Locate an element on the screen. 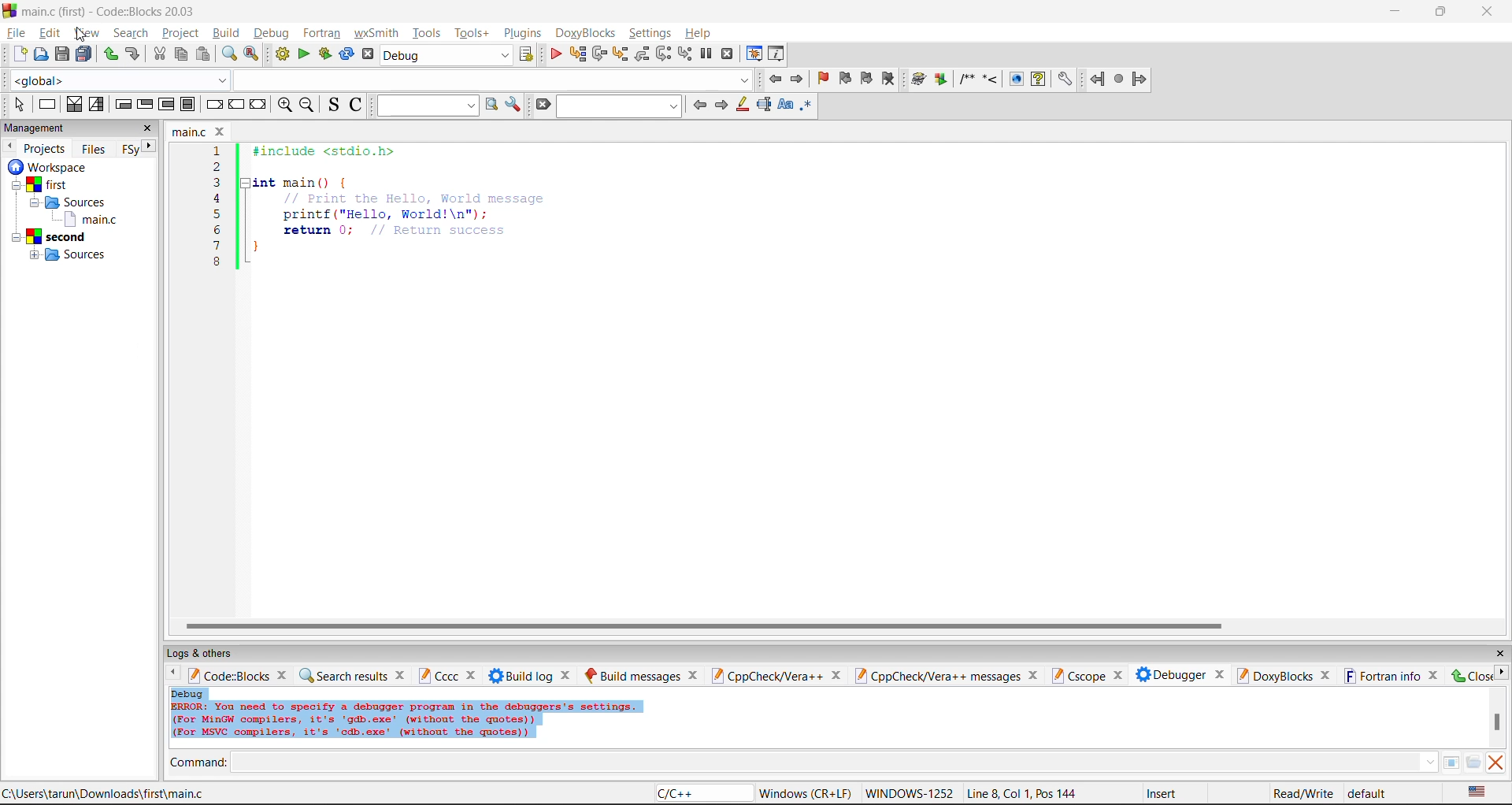 The width and height of the screenshot is (1512, 805). Read/write is located at coordinates (1303, 791).